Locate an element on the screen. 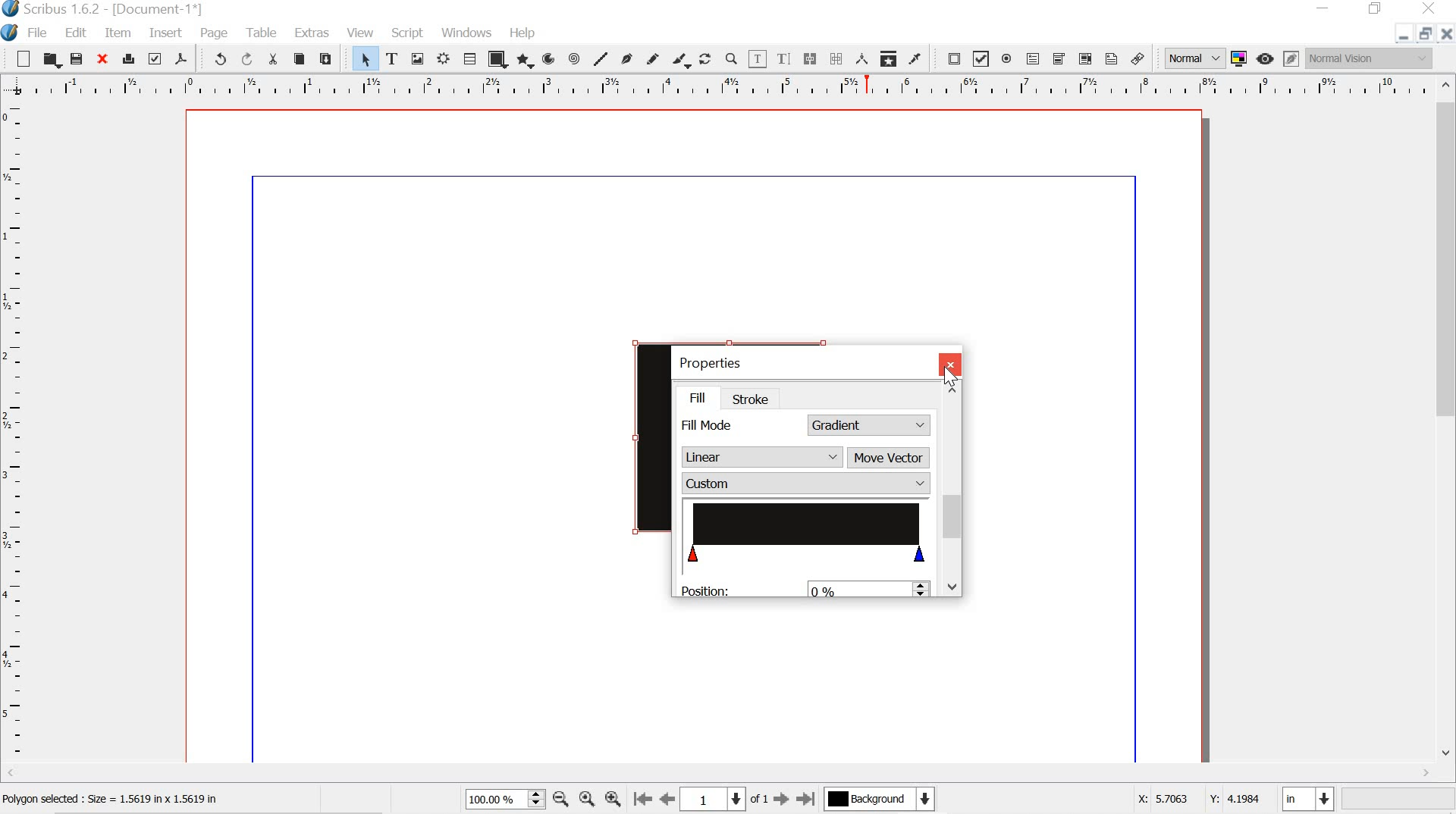  measurements is located at coordinates (860, 59).